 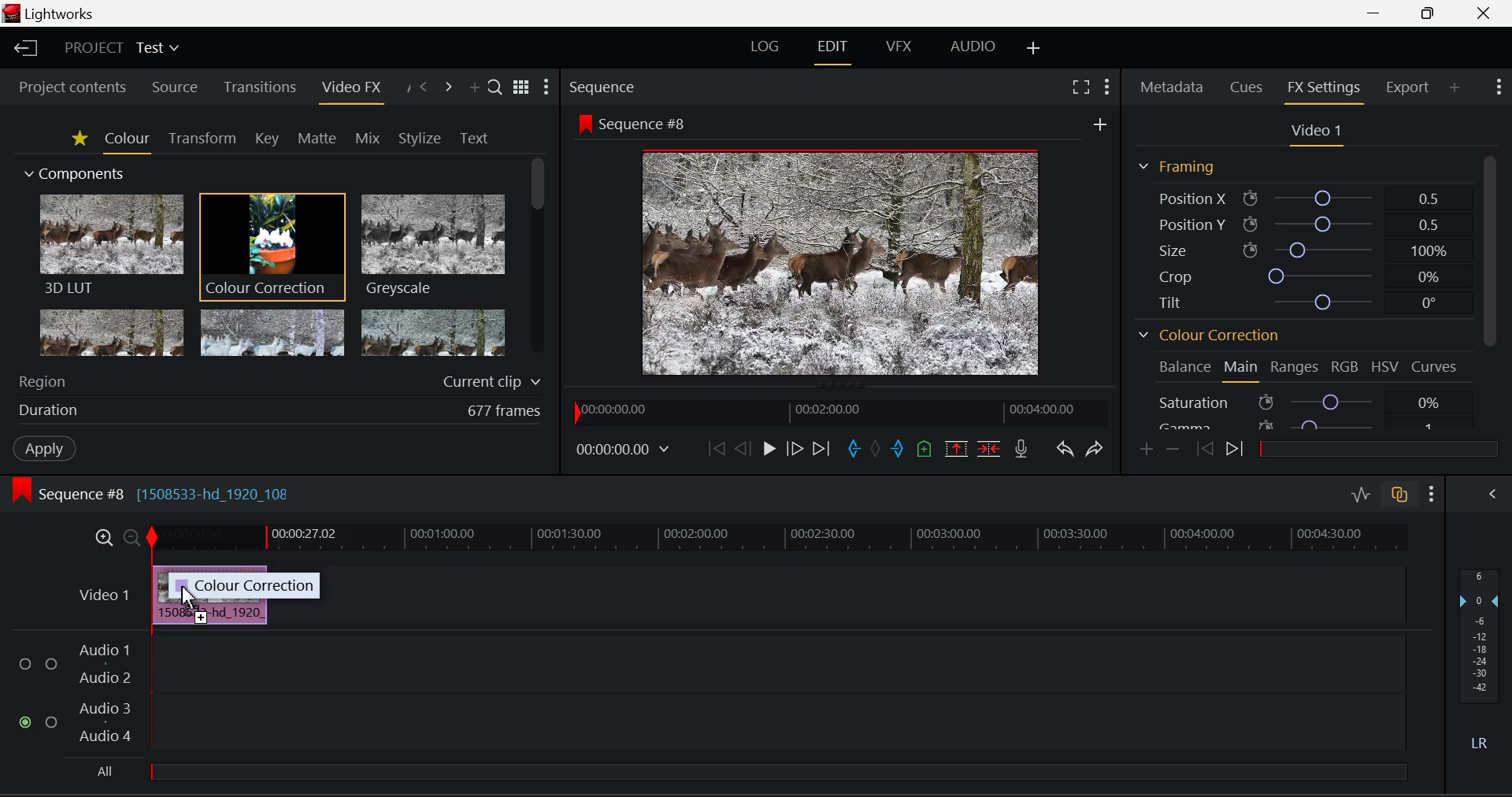 What do you see at coordinates (474, 138) in the screenshot?
I see `Text` at bounding box center [474, 138].